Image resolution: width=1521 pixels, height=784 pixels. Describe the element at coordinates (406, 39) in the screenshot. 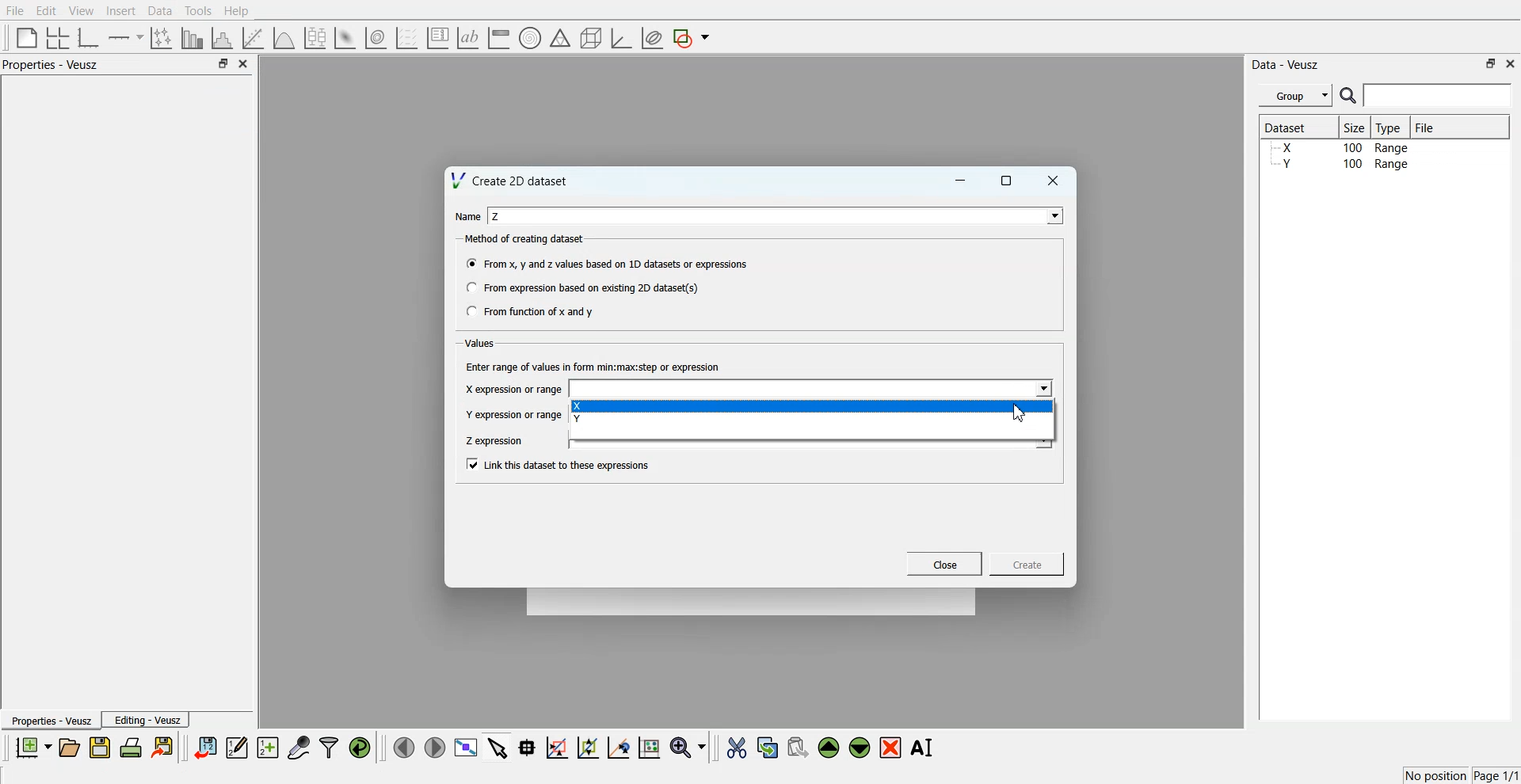

I see `Plot a vector field` at that location.